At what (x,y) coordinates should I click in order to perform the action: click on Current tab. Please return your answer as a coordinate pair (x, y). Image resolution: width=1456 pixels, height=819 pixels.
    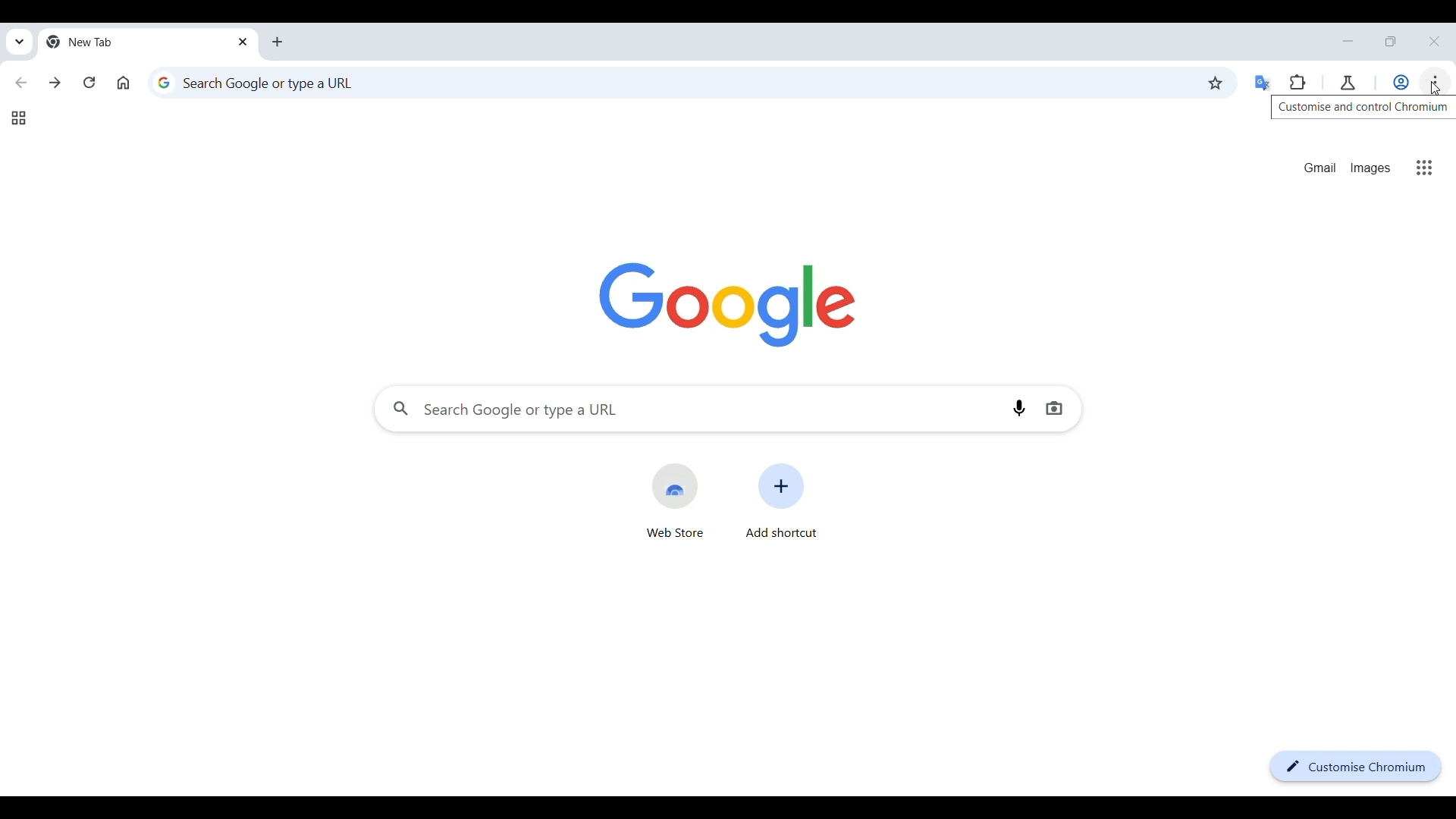
    Looking at the image, I should click on (126, 42).